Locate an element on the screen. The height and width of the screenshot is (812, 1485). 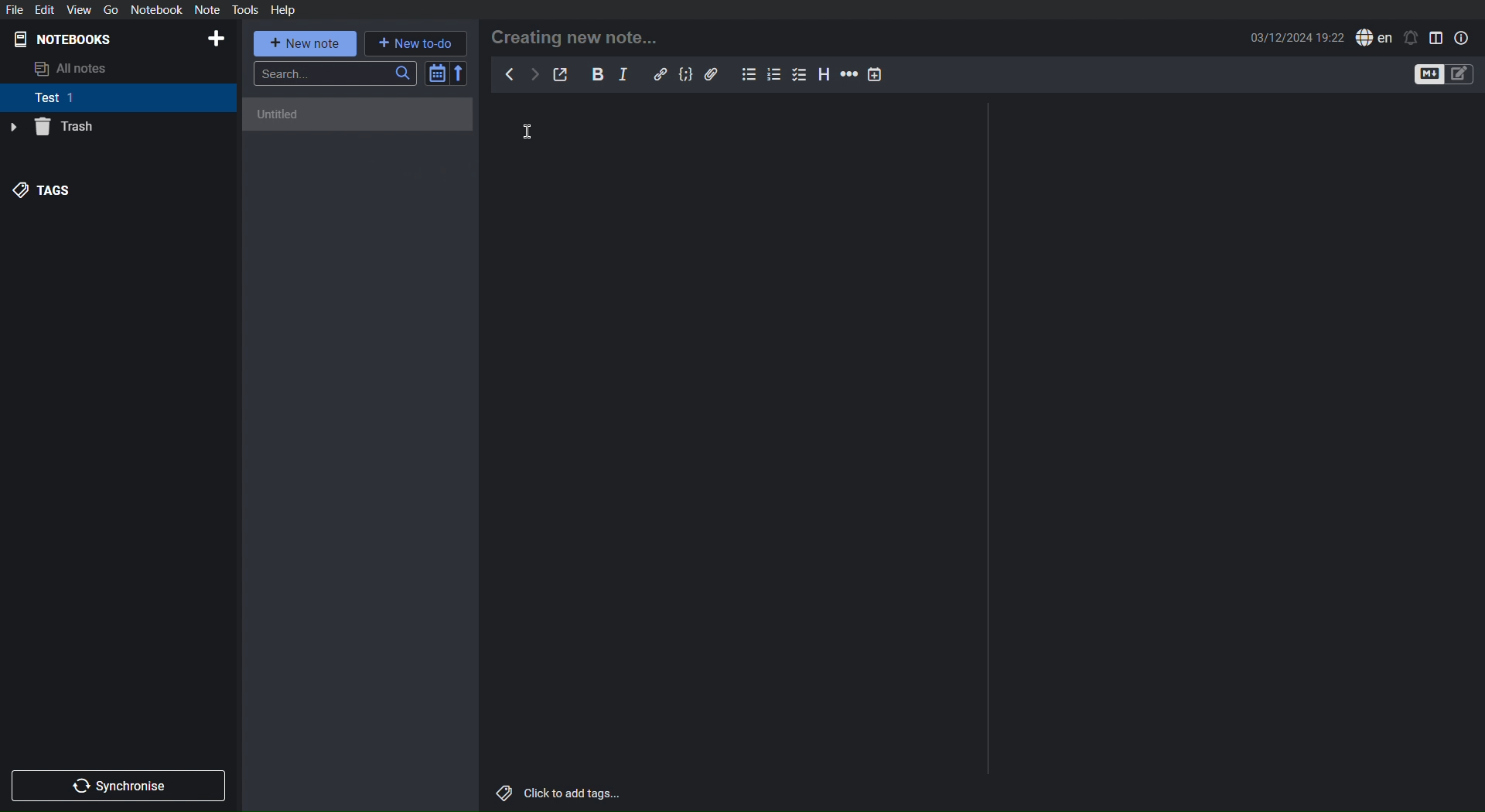
Headings is located at coordinates (825, 74).